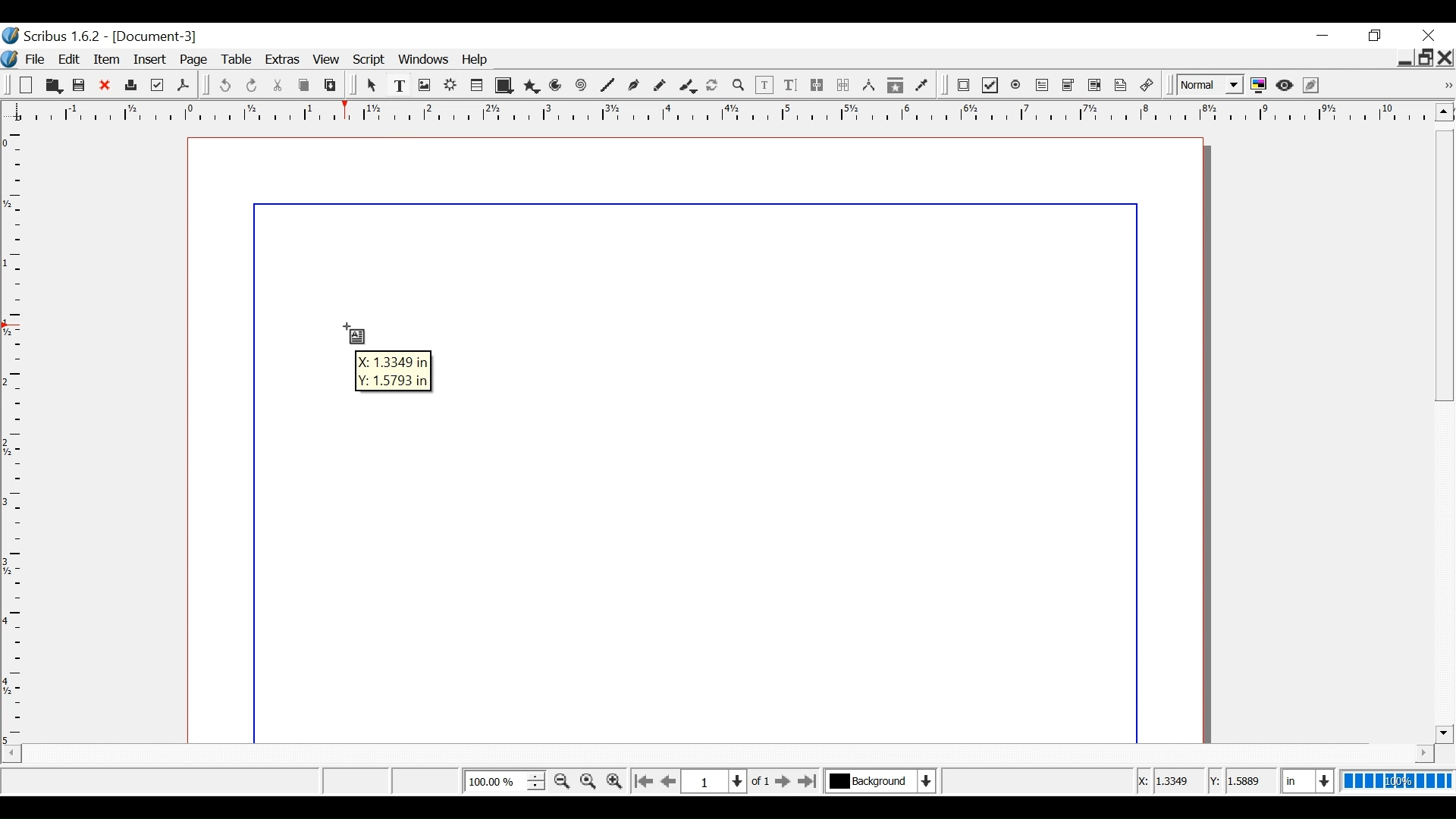 The width and height of the screenshot is (1456, 819). I want to click on PDF Checkbox, so click(990, 86).